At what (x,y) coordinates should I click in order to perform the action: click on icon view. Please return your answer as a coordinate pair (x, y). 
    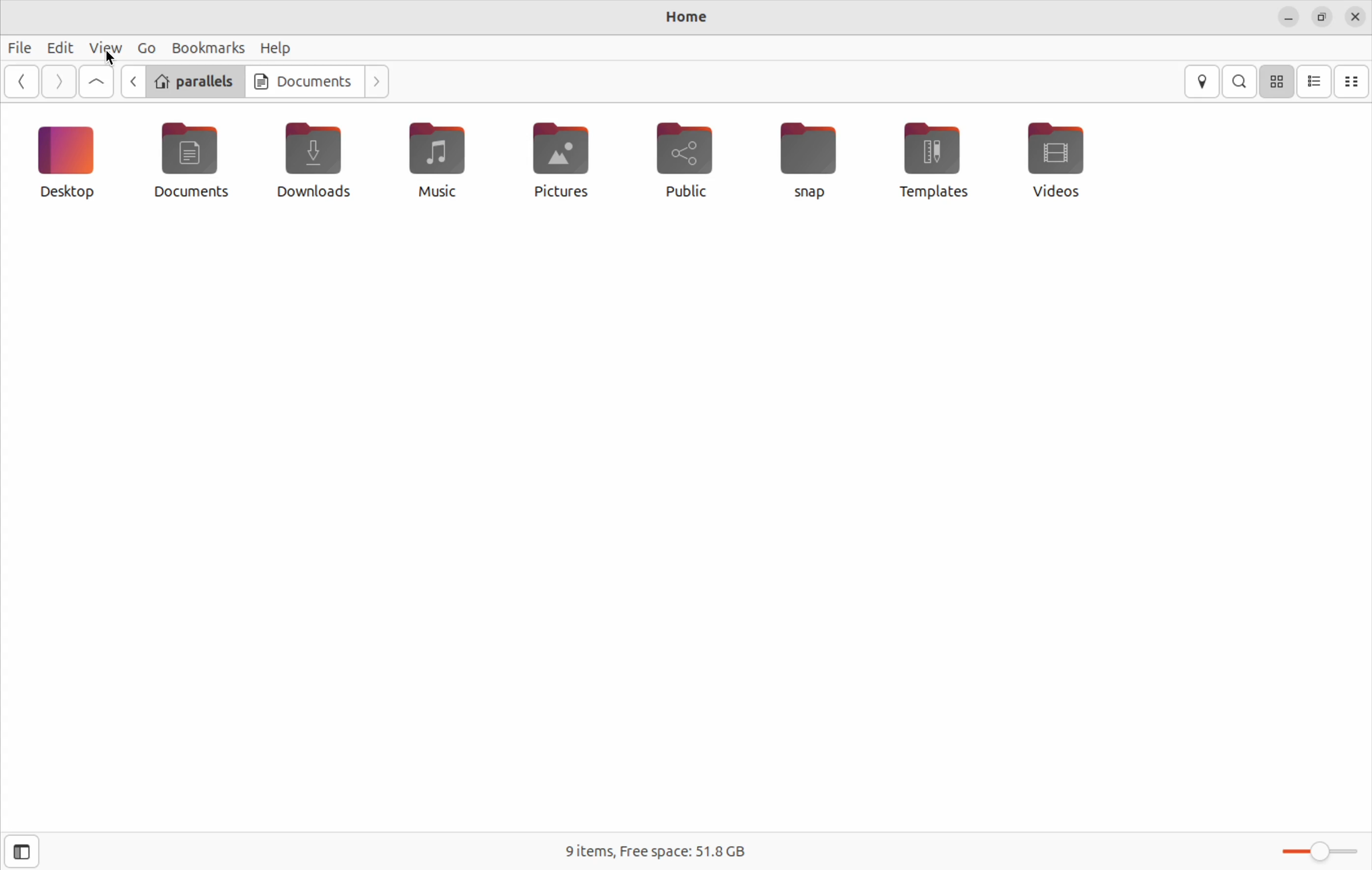
    Looking at the image, I should click on (1276, 83).